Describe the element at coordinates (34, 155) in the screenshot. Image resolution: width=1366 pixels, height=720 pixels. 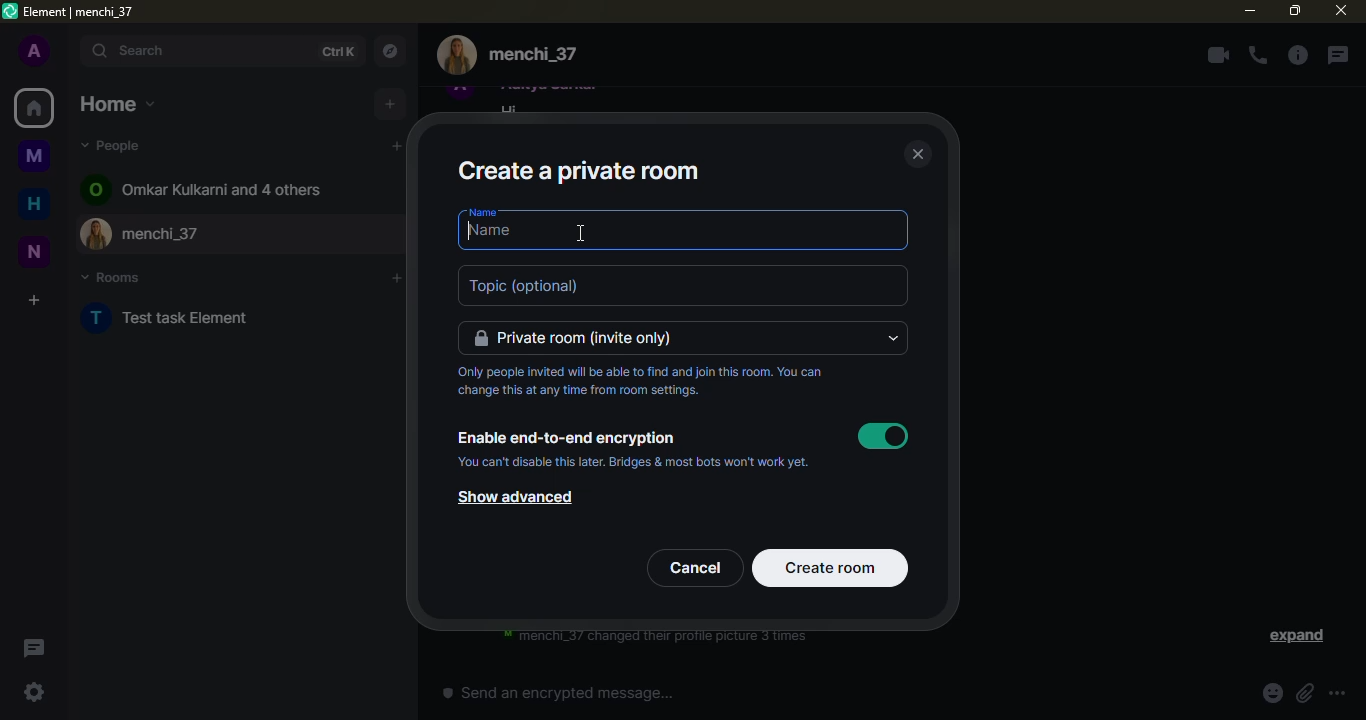
I see `myspace` at that location.